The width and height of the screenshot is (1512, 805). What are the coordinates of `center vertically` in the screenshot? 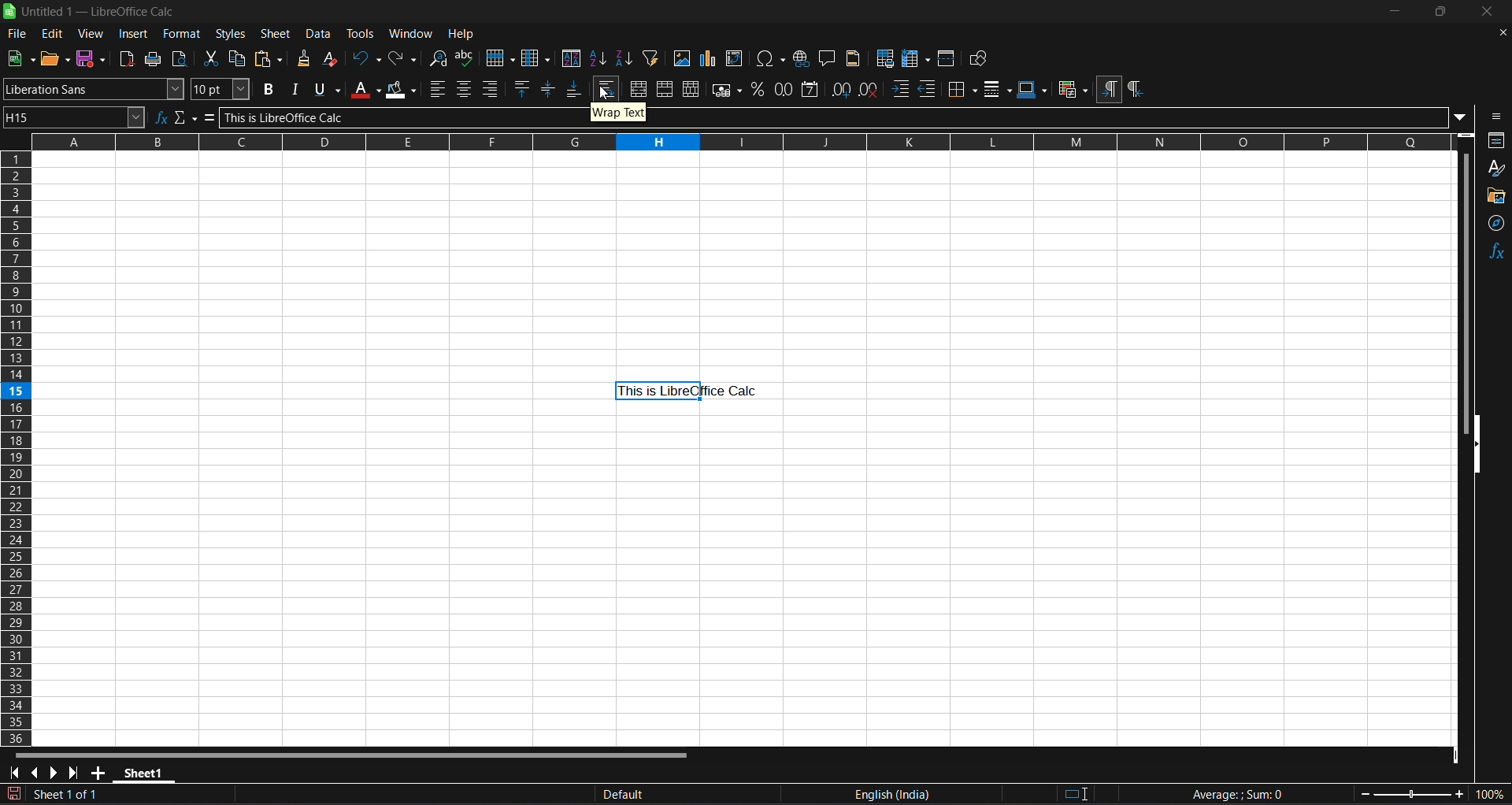 It's located at (550, 87).